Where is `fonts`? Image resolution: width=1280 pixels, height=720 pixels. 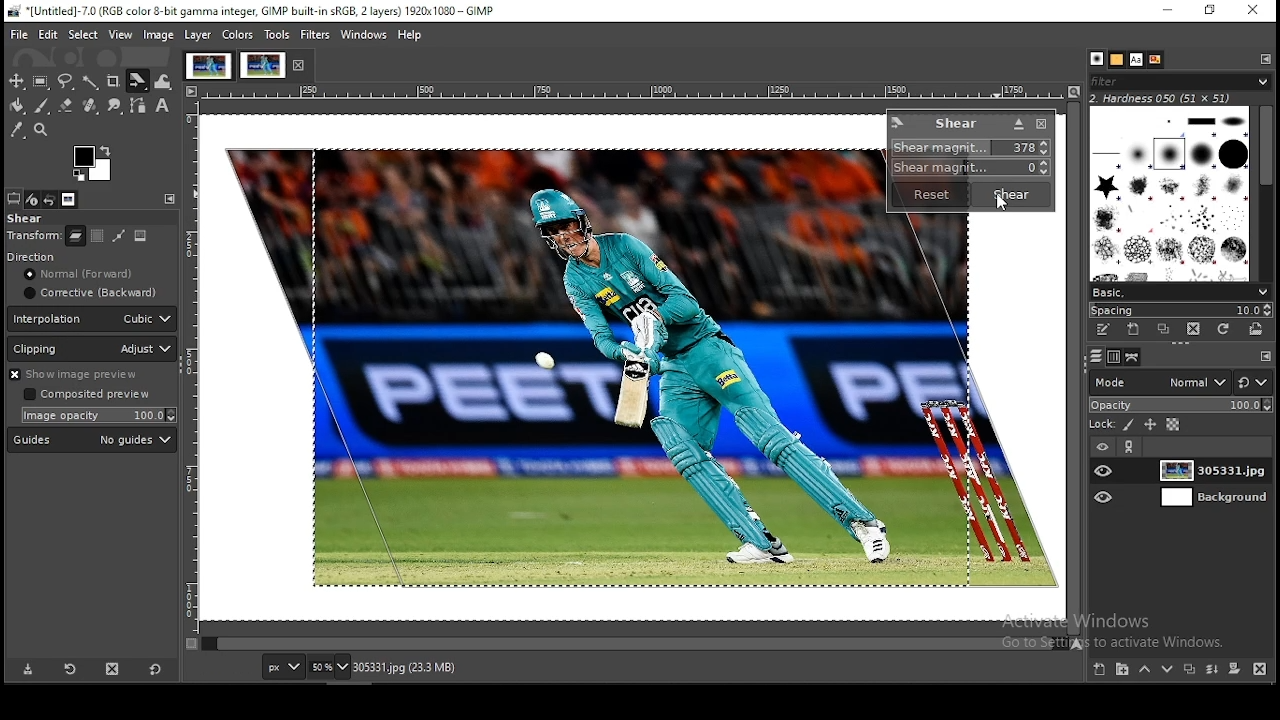 fonts is located at coordinates (1136, 60).